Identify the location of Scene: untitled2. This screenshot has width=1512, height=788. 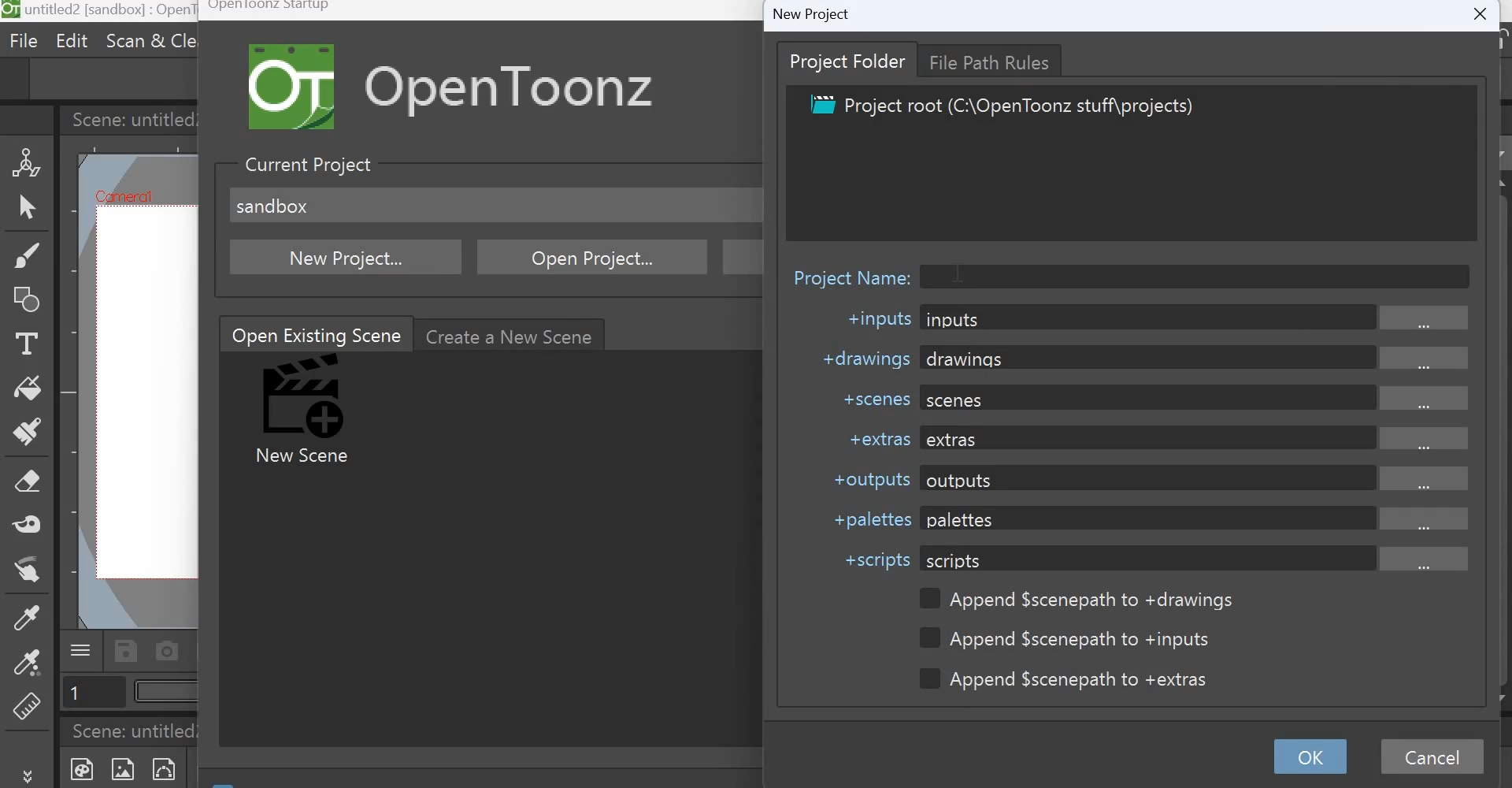
(139, 731).